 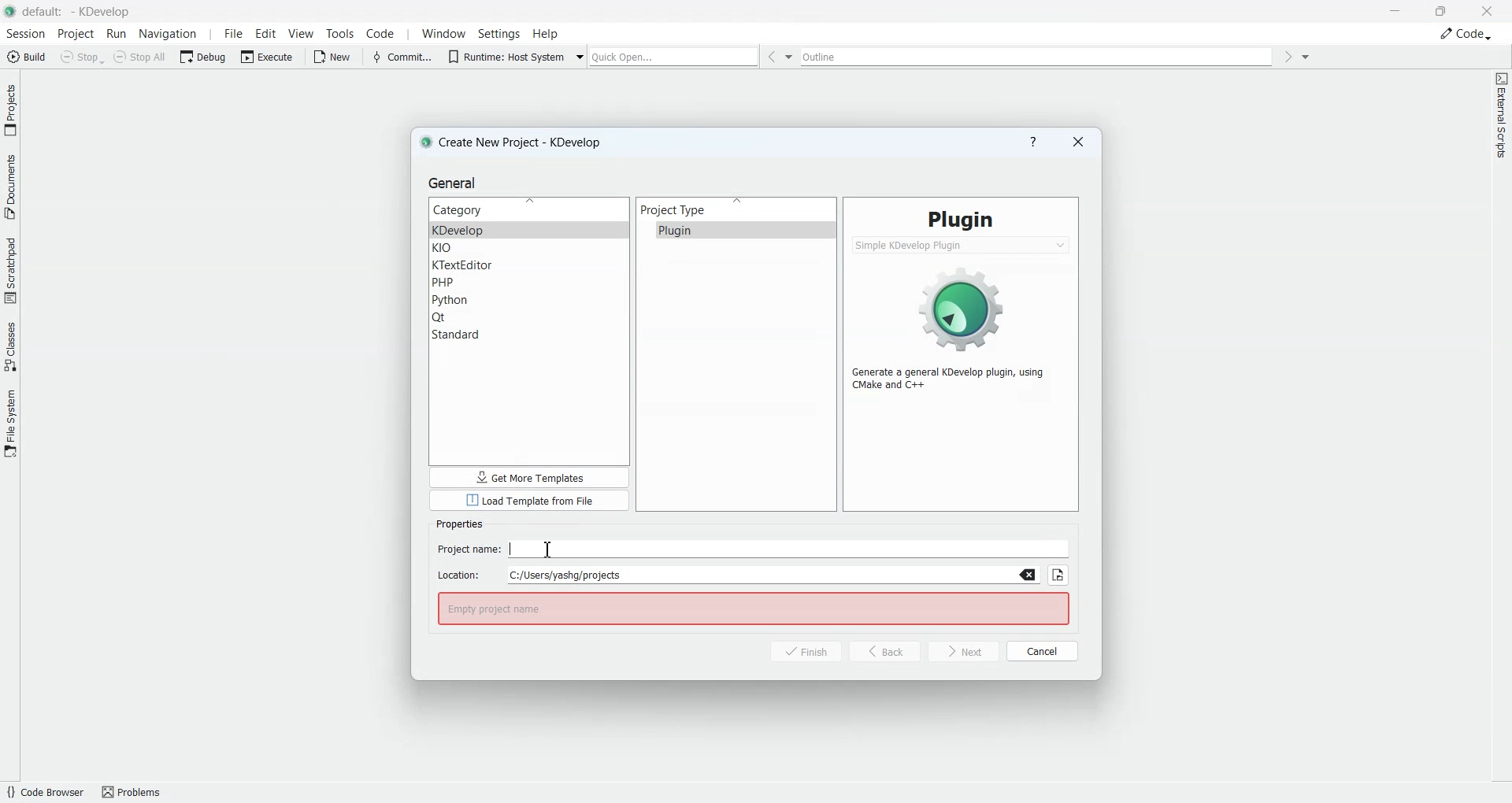 What do you see at coordinates (516, 142) in the screenshot?
I see `Create New Project` at bounding box center [516, 142].